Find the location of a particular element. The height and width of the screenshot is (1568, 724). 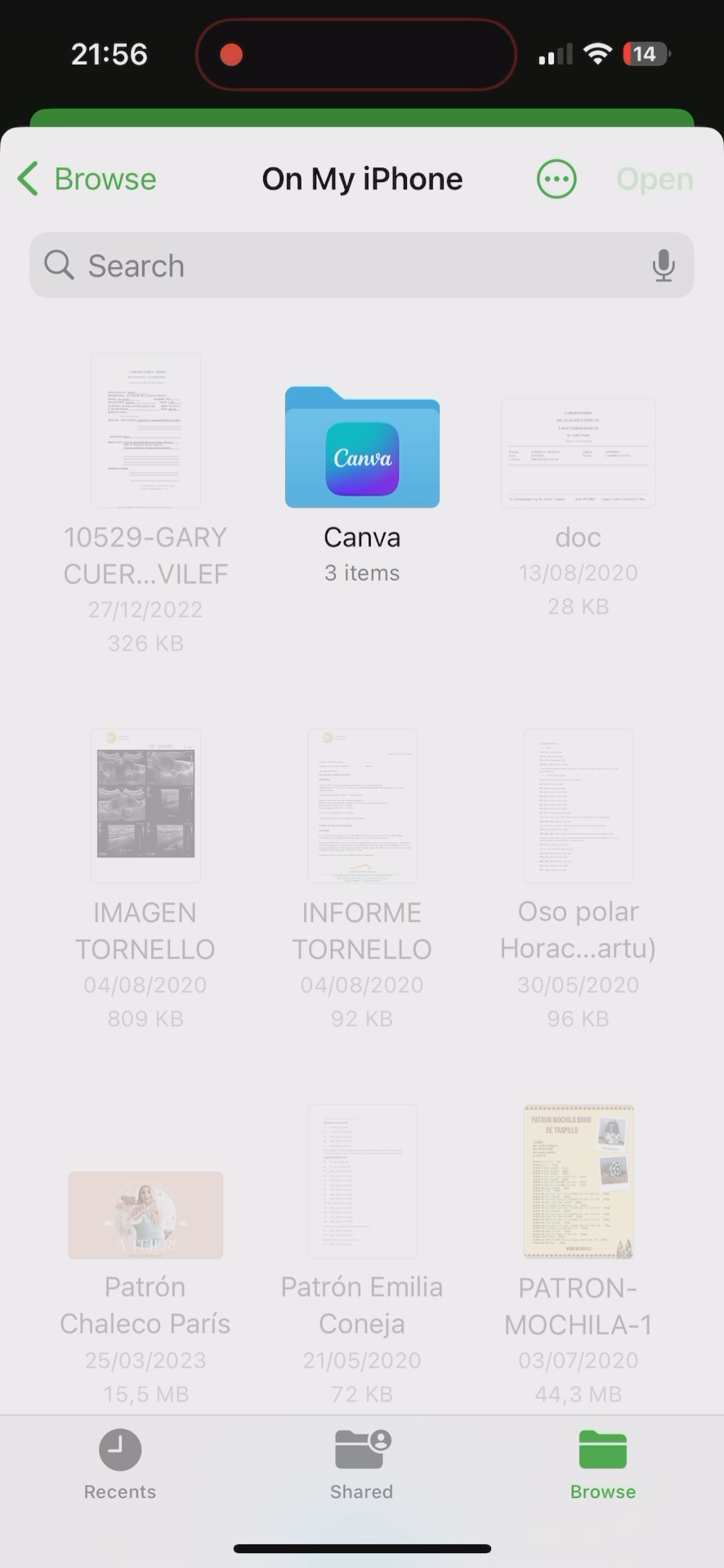

signal is located at coordinates (553, 55).